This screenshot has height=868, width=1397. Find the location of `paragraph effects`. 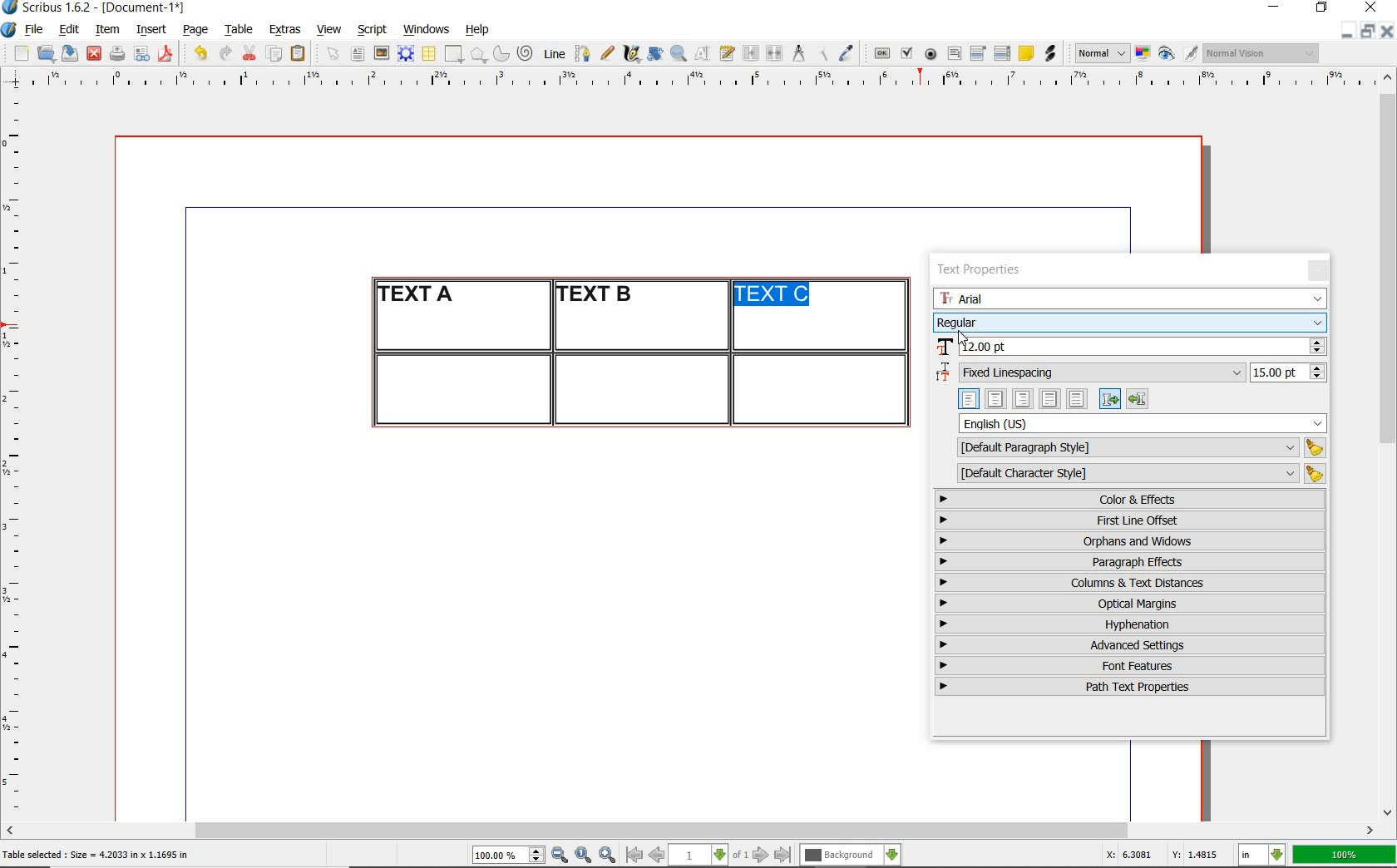

paragraph effects is located at coordinates (1128, 561).